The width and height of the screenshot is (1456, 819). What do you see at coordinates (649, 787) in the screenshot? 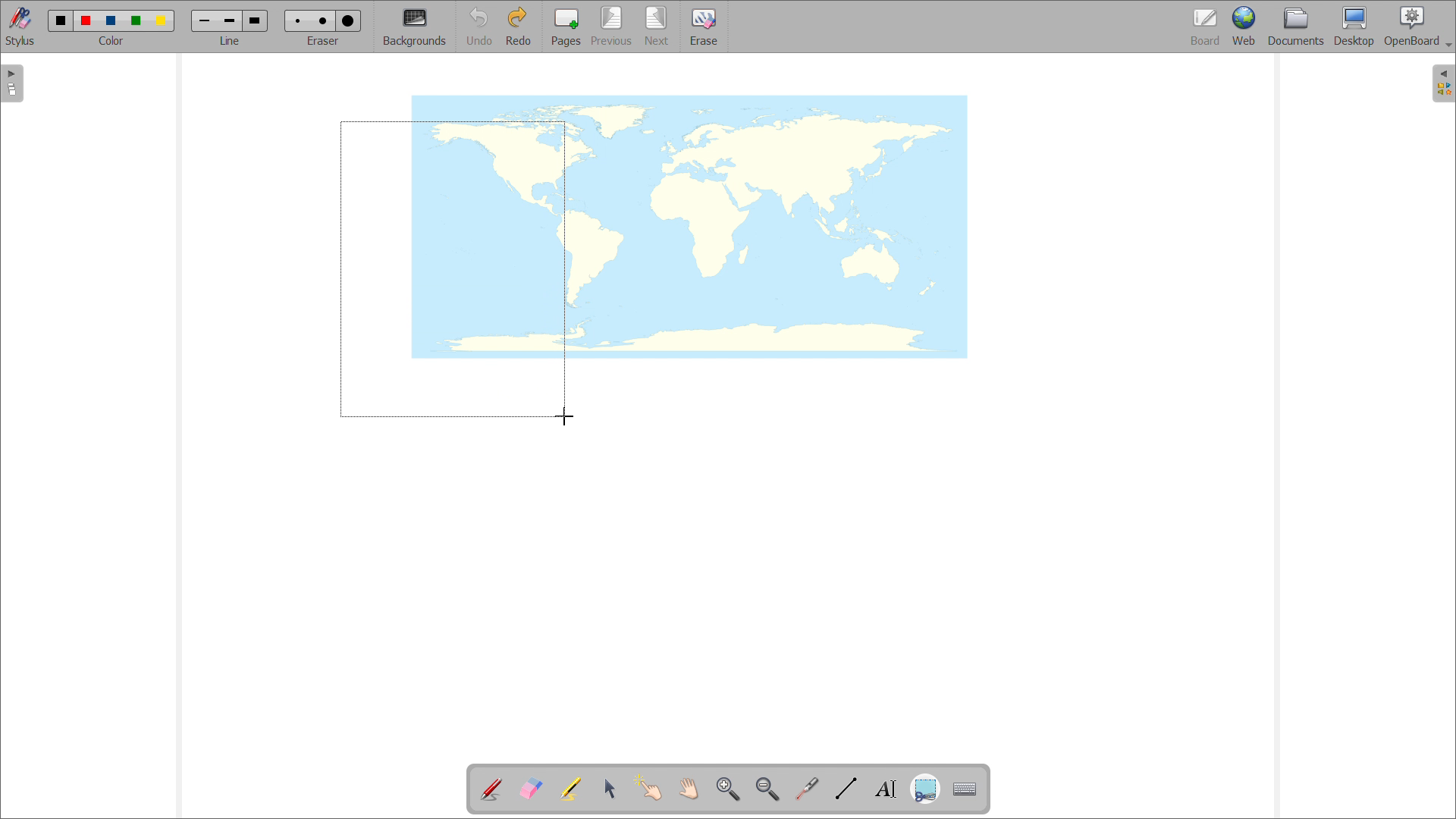
I see `interact with items` at bounding box center [649, 787].